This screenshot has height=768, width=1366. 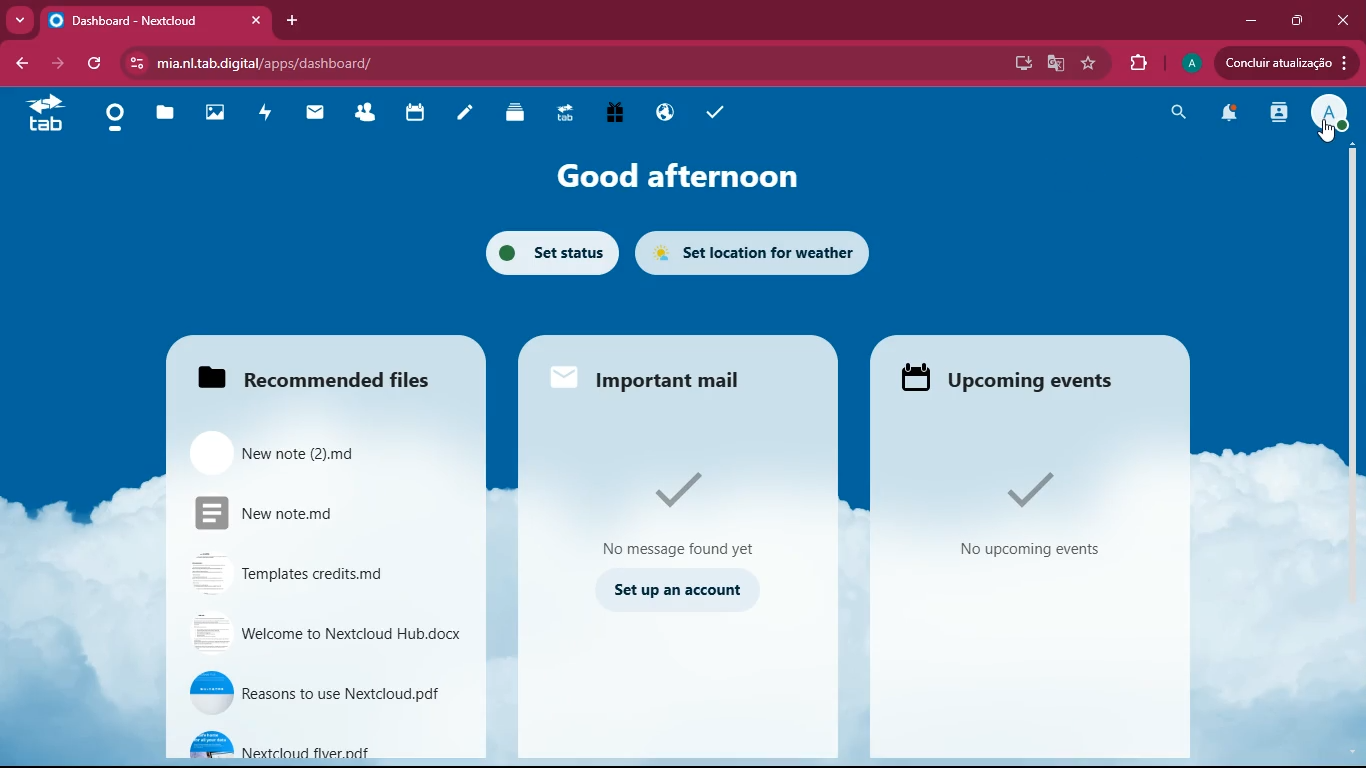 What do you see at coordinates (312, 116) in the screenshot?
I see `mail` at bounding box center [312, 116].